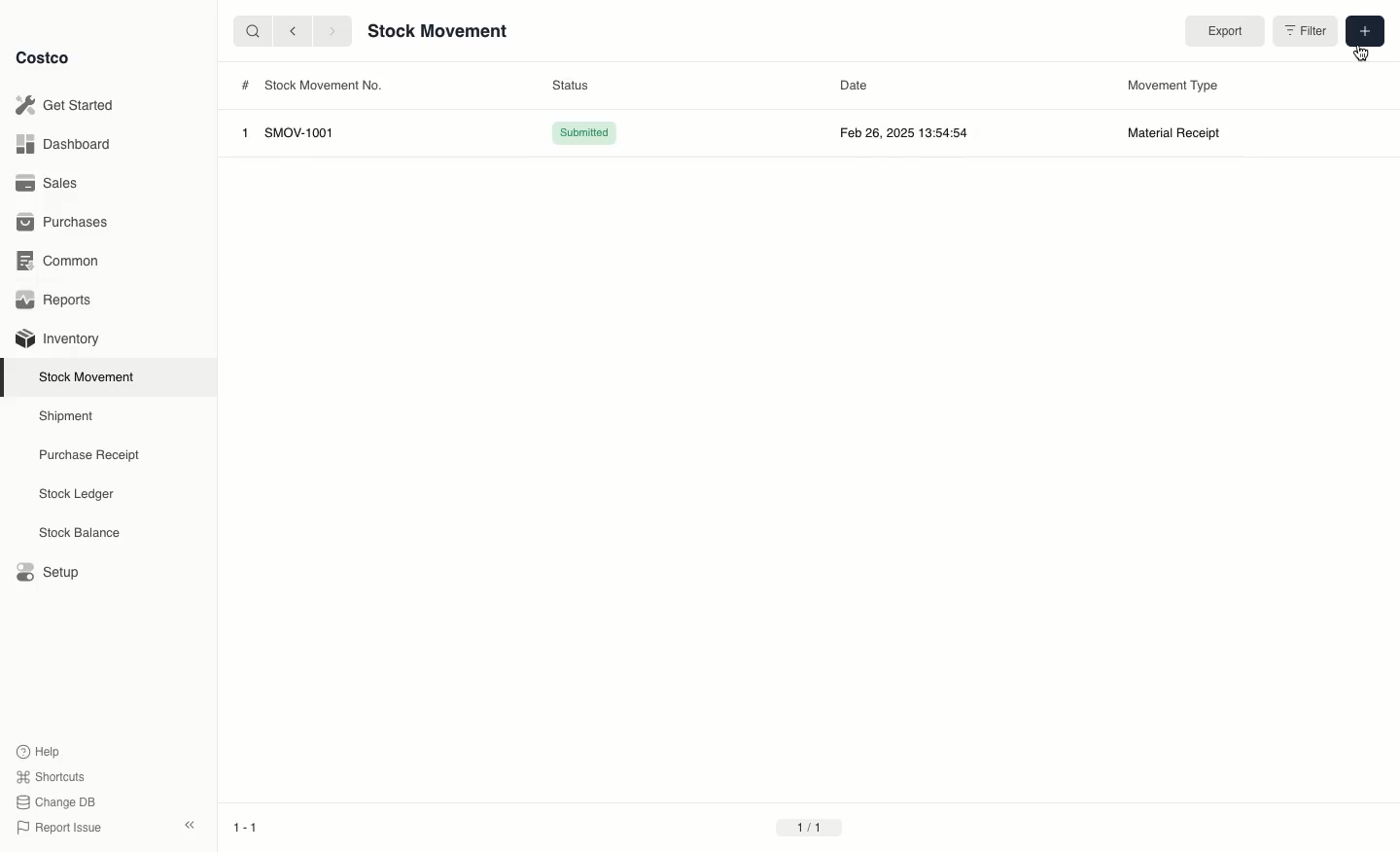  I want to click on #, so click(244, 84).